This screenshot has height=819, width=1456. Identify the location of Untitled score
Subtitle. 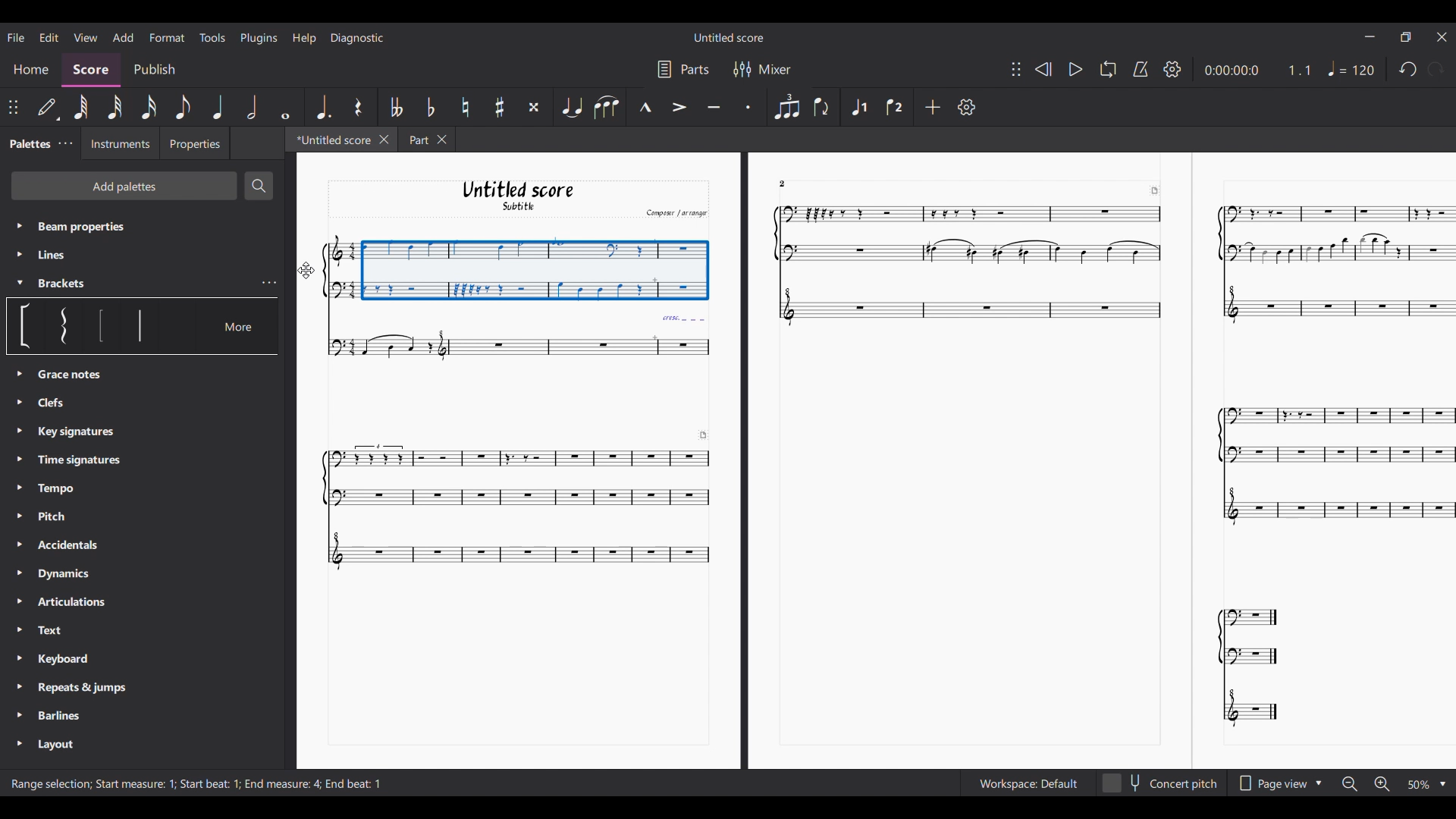
(516, 196).